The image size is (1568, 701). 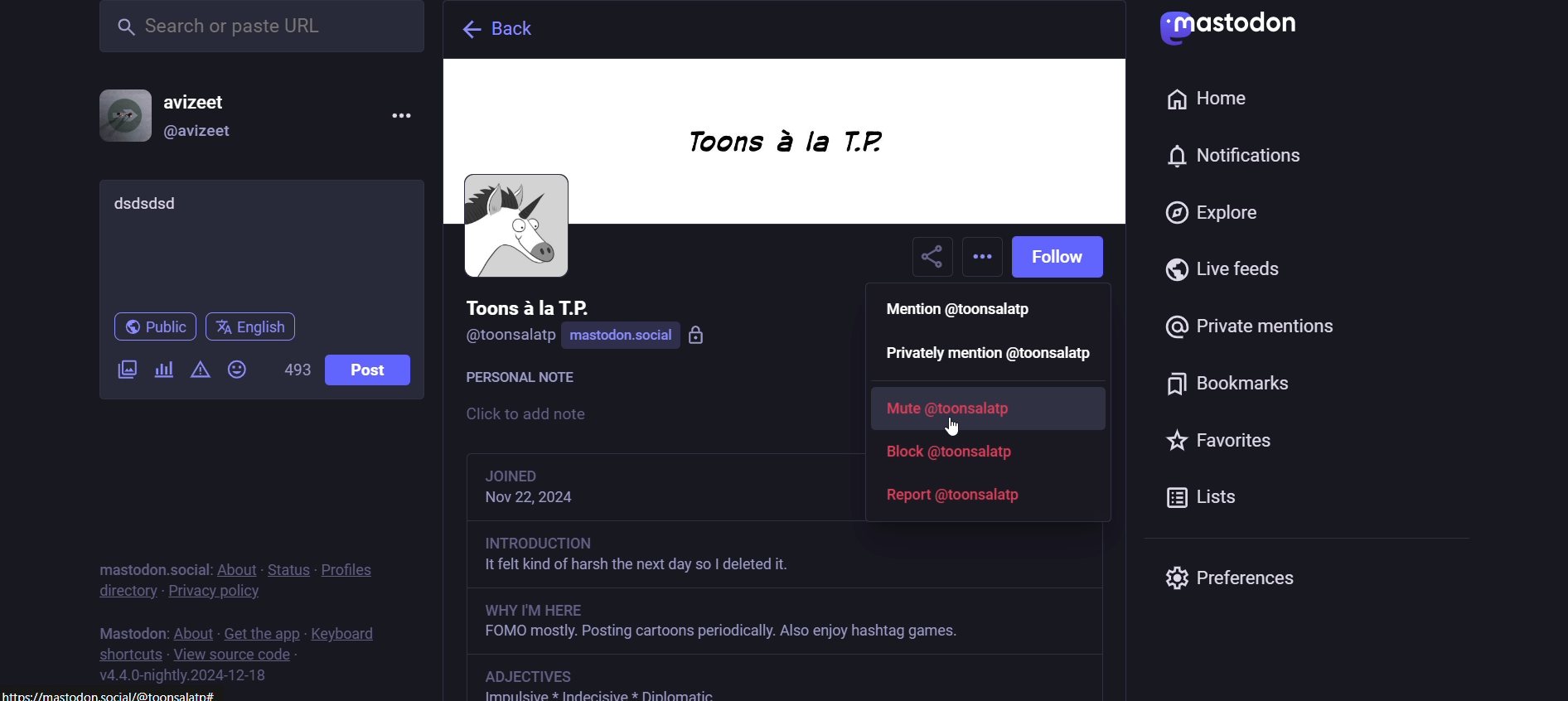 I want to click on block user, so click(x=956, y=453).